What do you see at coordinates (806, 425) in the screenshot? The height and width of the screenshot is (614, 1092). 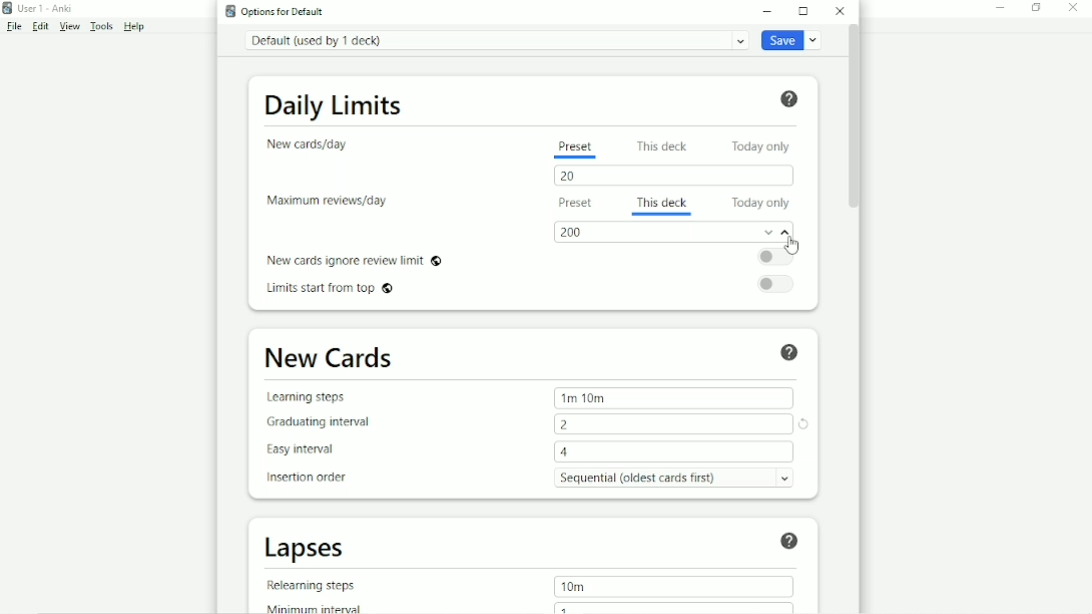 I see `Restore this setting to its default value` at bounding box center [806, 425].